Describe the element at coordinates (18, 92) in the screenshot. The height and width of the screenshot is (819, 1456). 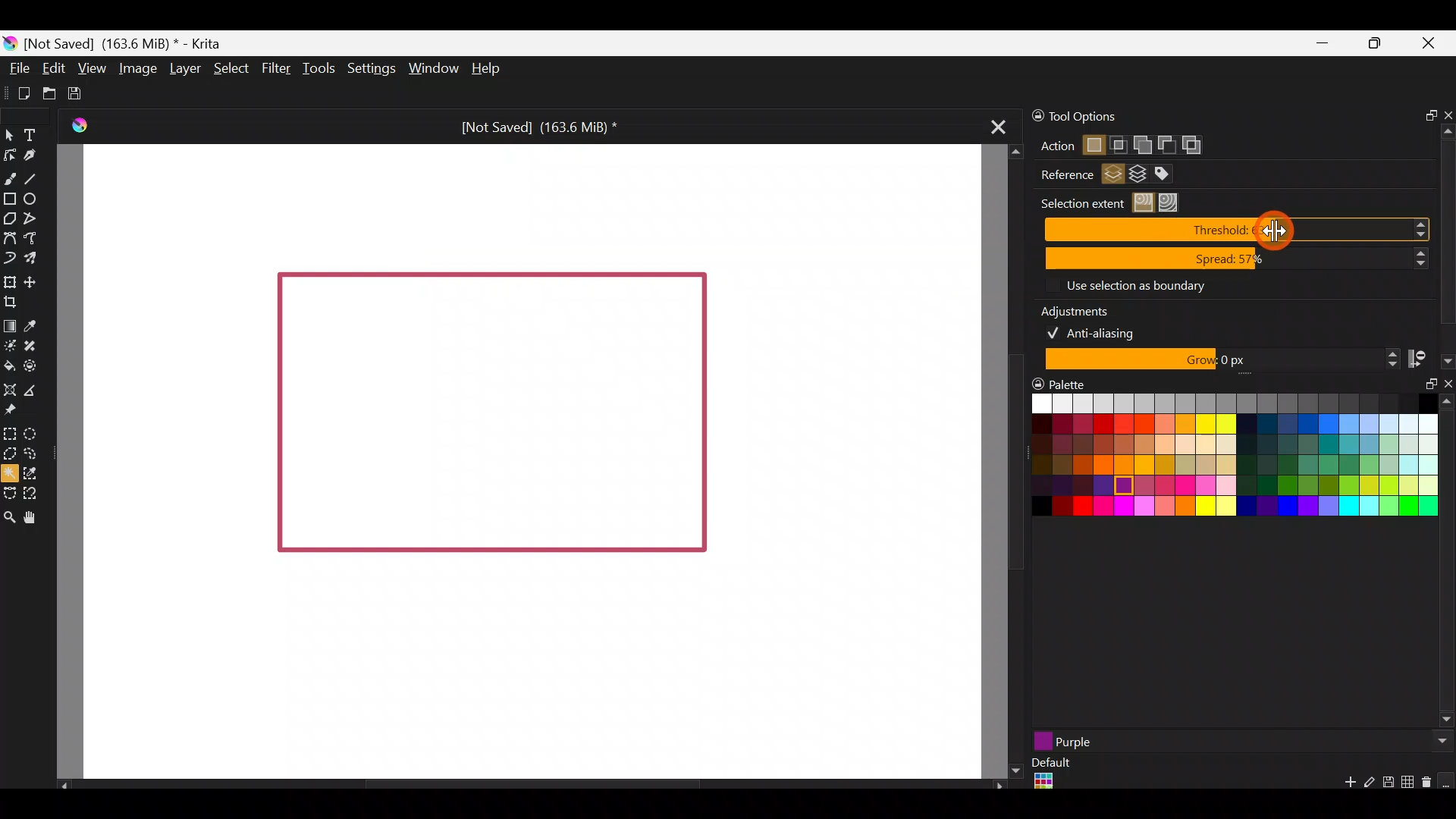
I see `Create new document` at that location.